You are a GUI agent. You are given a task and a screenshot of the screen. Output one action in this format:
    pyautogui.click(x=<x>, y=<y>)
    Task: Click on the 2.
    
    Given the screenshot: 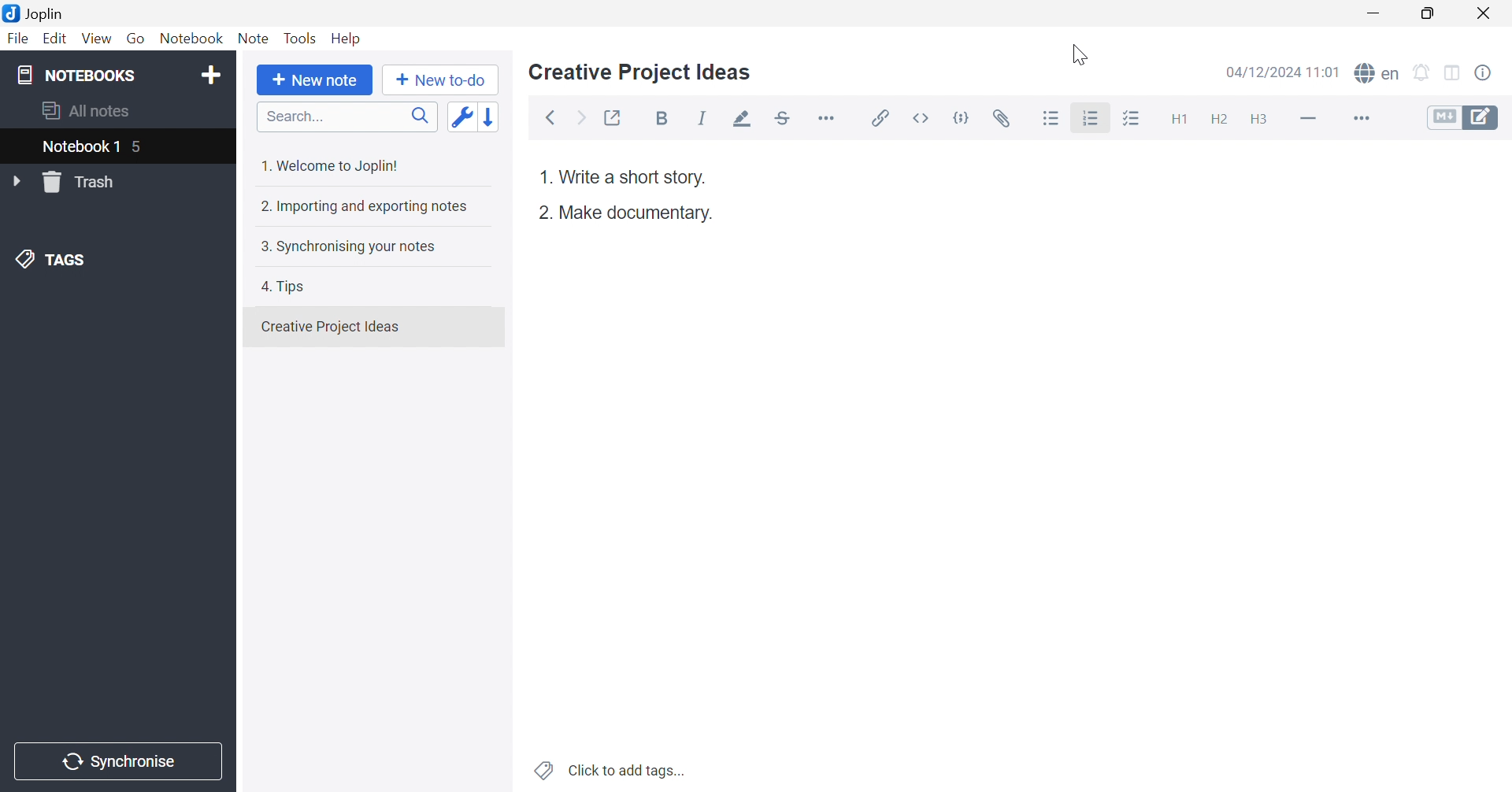 What is the action you would take?
    pyautogui.click(x=549, y=215)
    